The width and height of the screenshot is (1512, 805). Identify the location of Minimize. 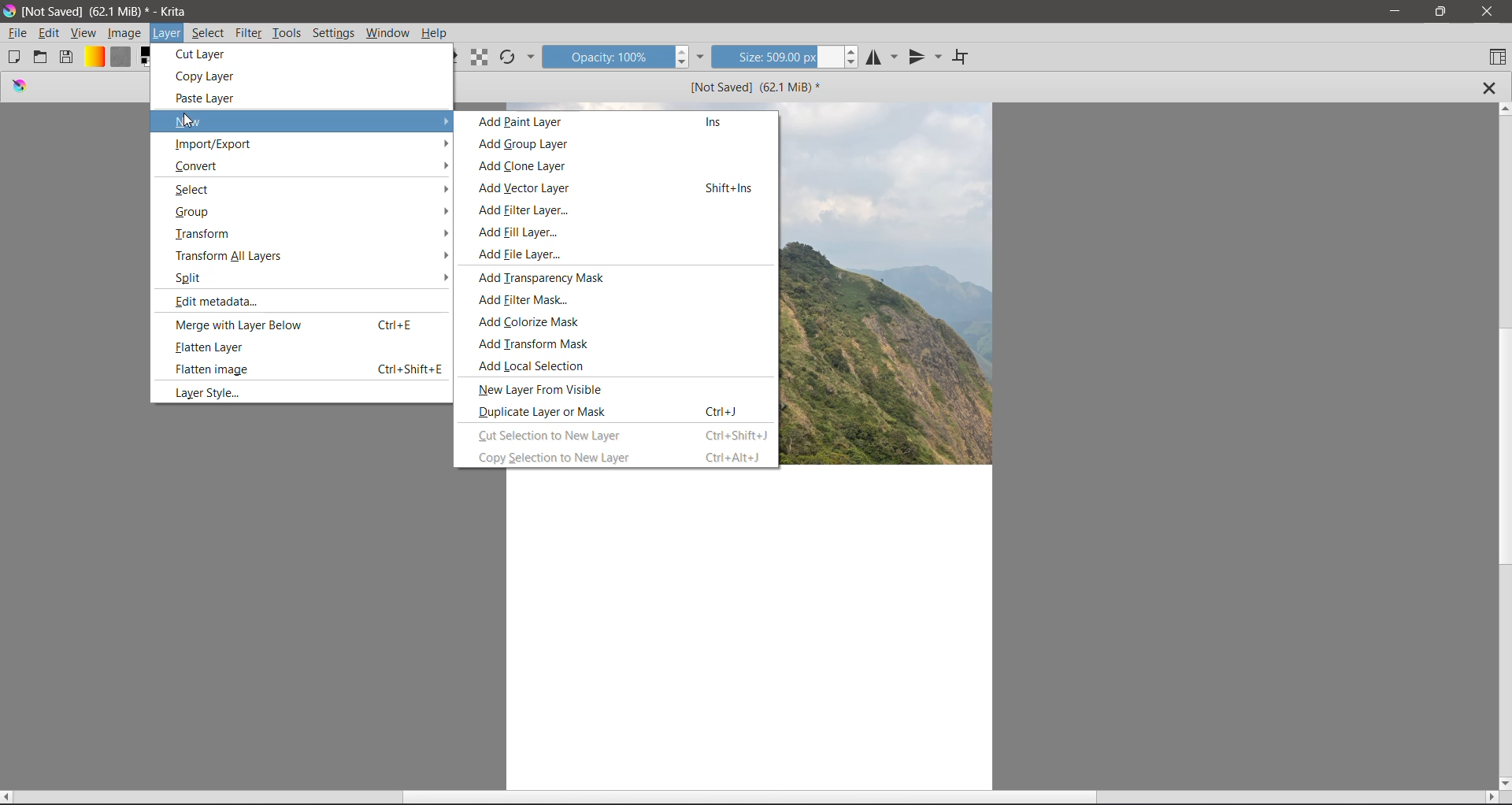
(1392, 9).